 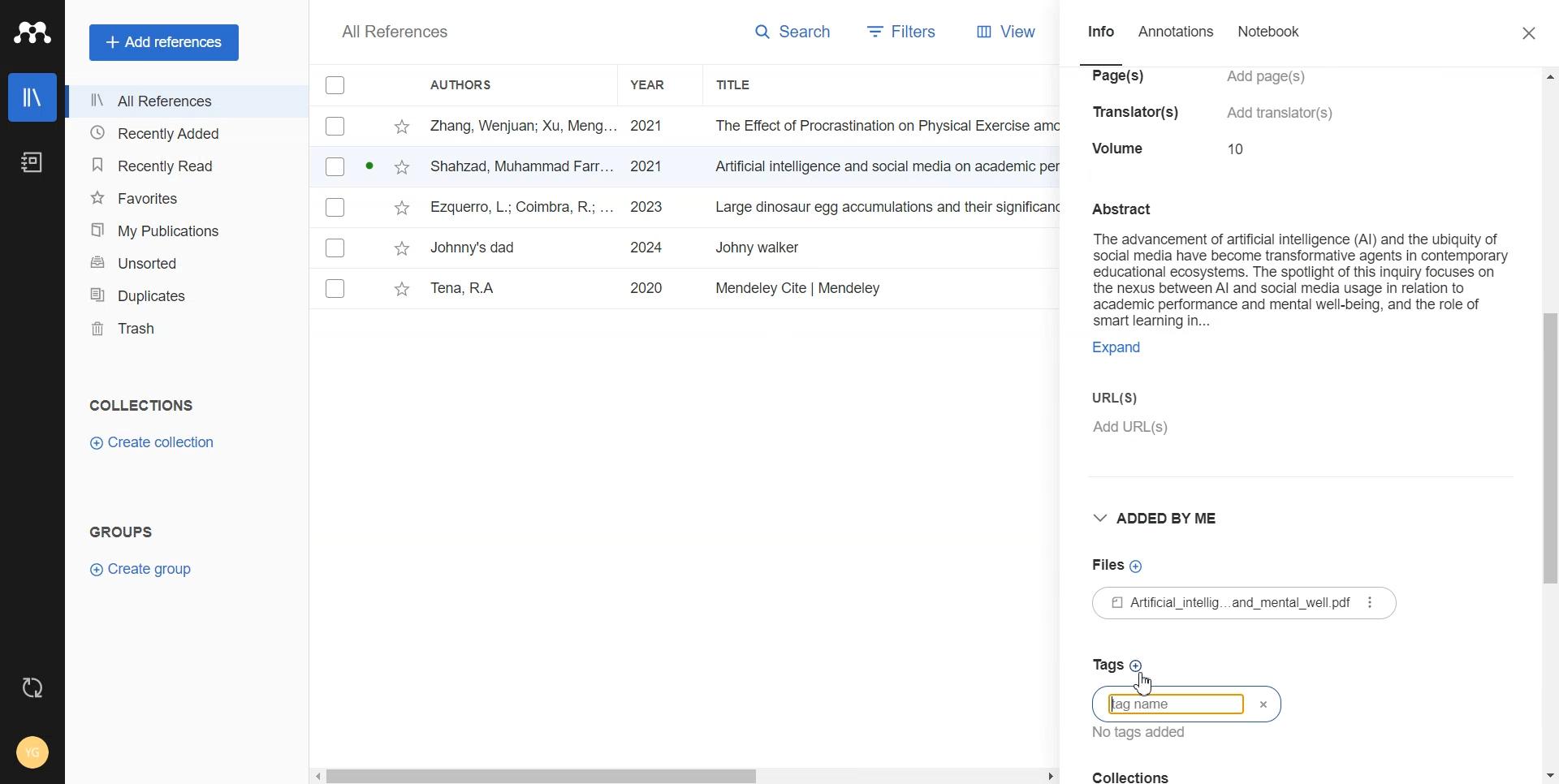 What do you see at coordinates (1190, 712) in the screenshot?
I see `Typing window` at bounding box center [1190, 712].